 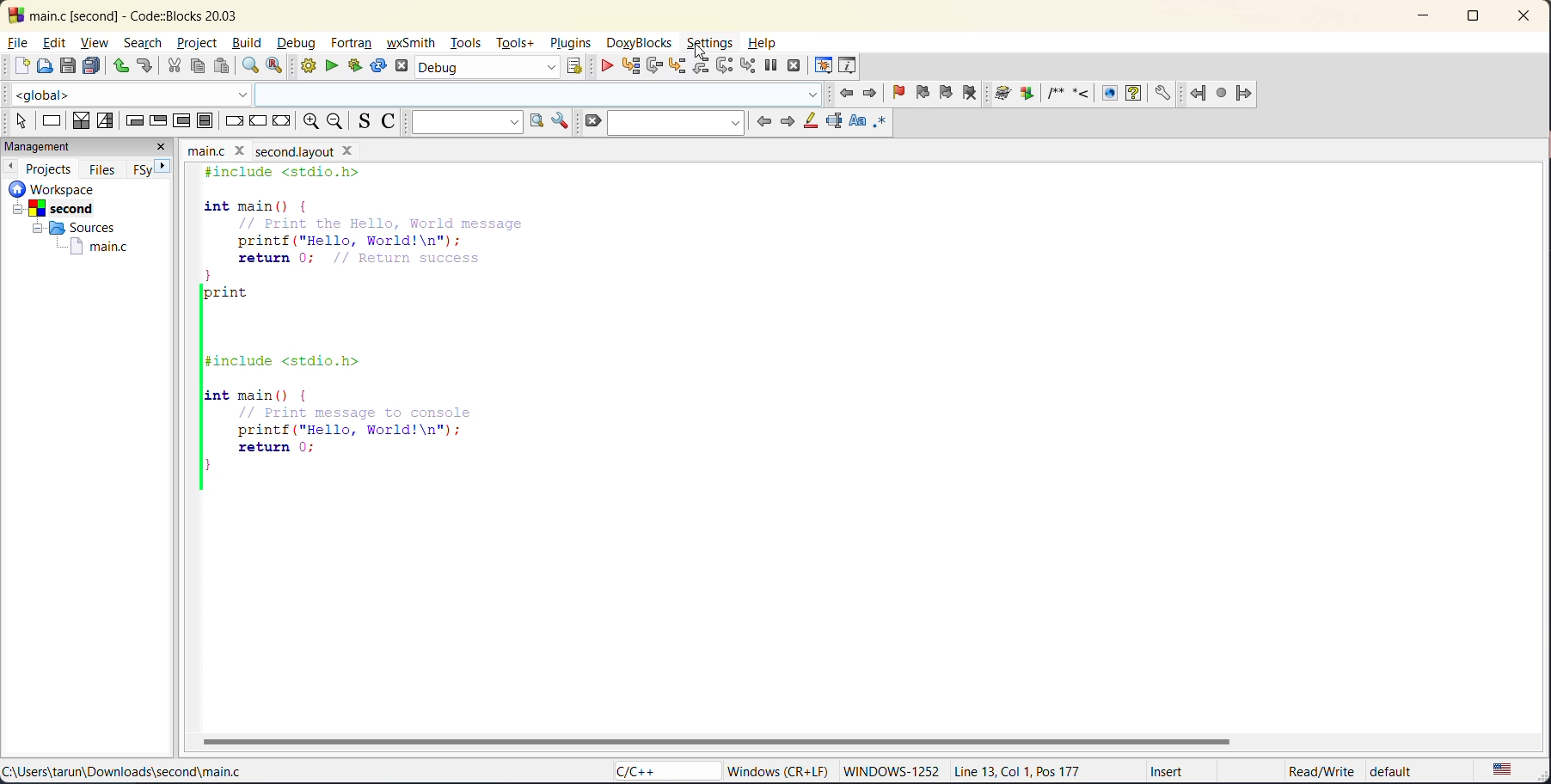 I want to click on file name, so click(x=218, y=149).